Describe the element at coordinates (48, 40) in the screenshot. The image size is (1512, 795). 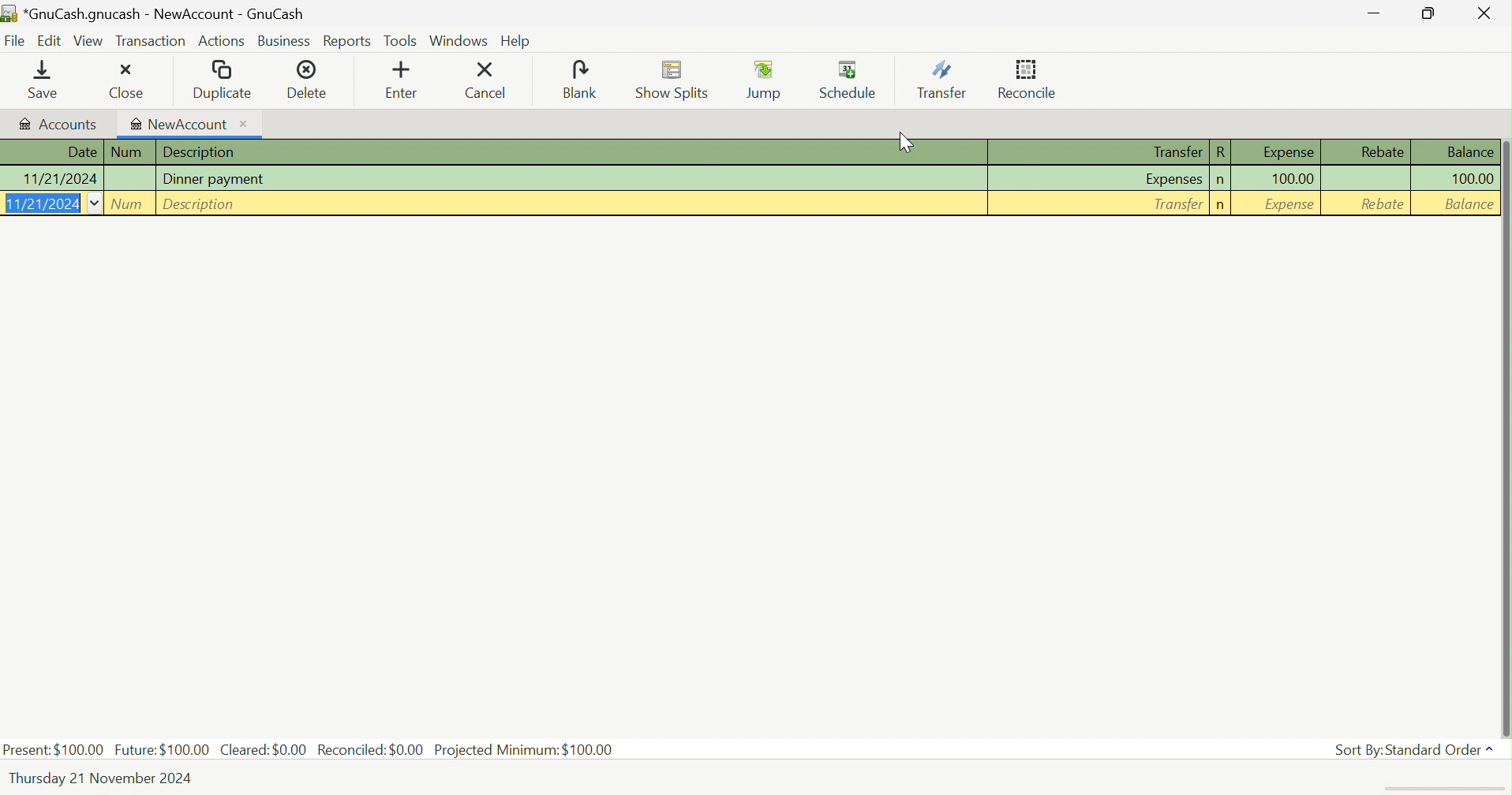
I see `Edit` at that location.